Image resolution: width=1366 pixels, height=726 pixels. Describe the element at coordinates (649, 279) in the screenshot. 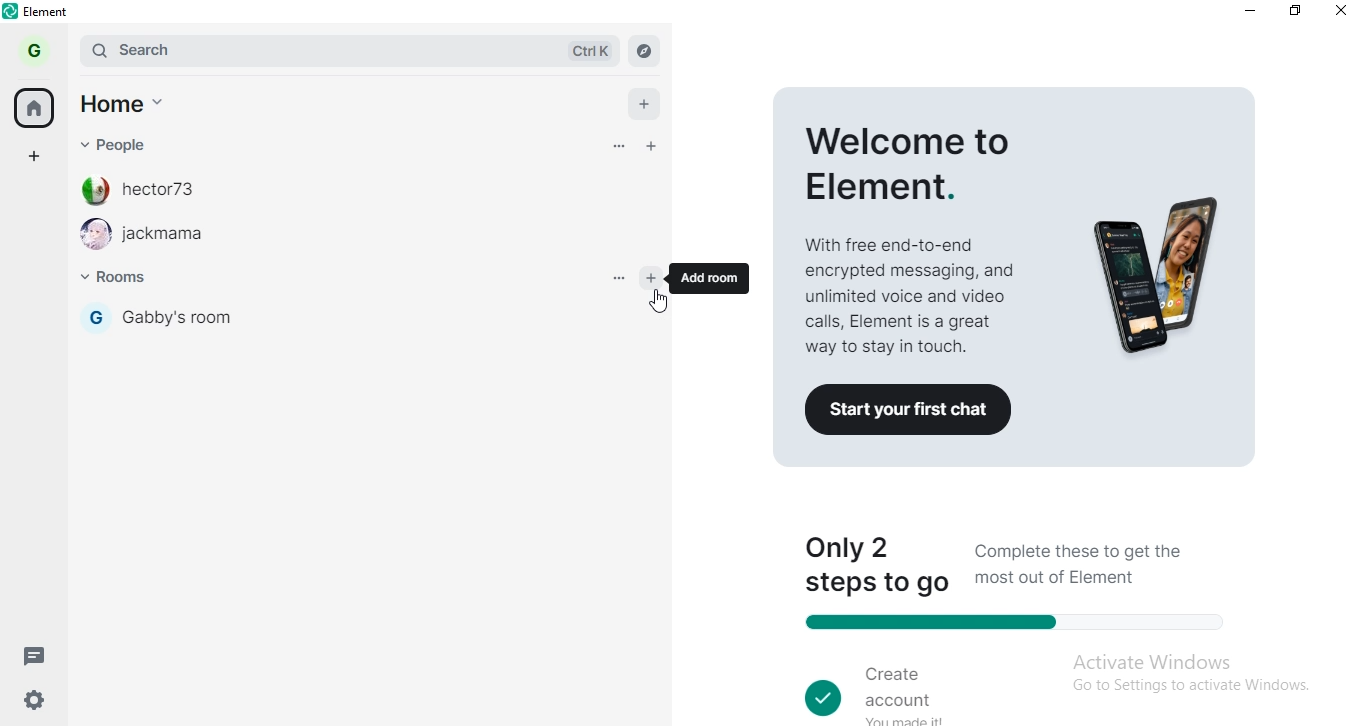

I see `add` at that location.